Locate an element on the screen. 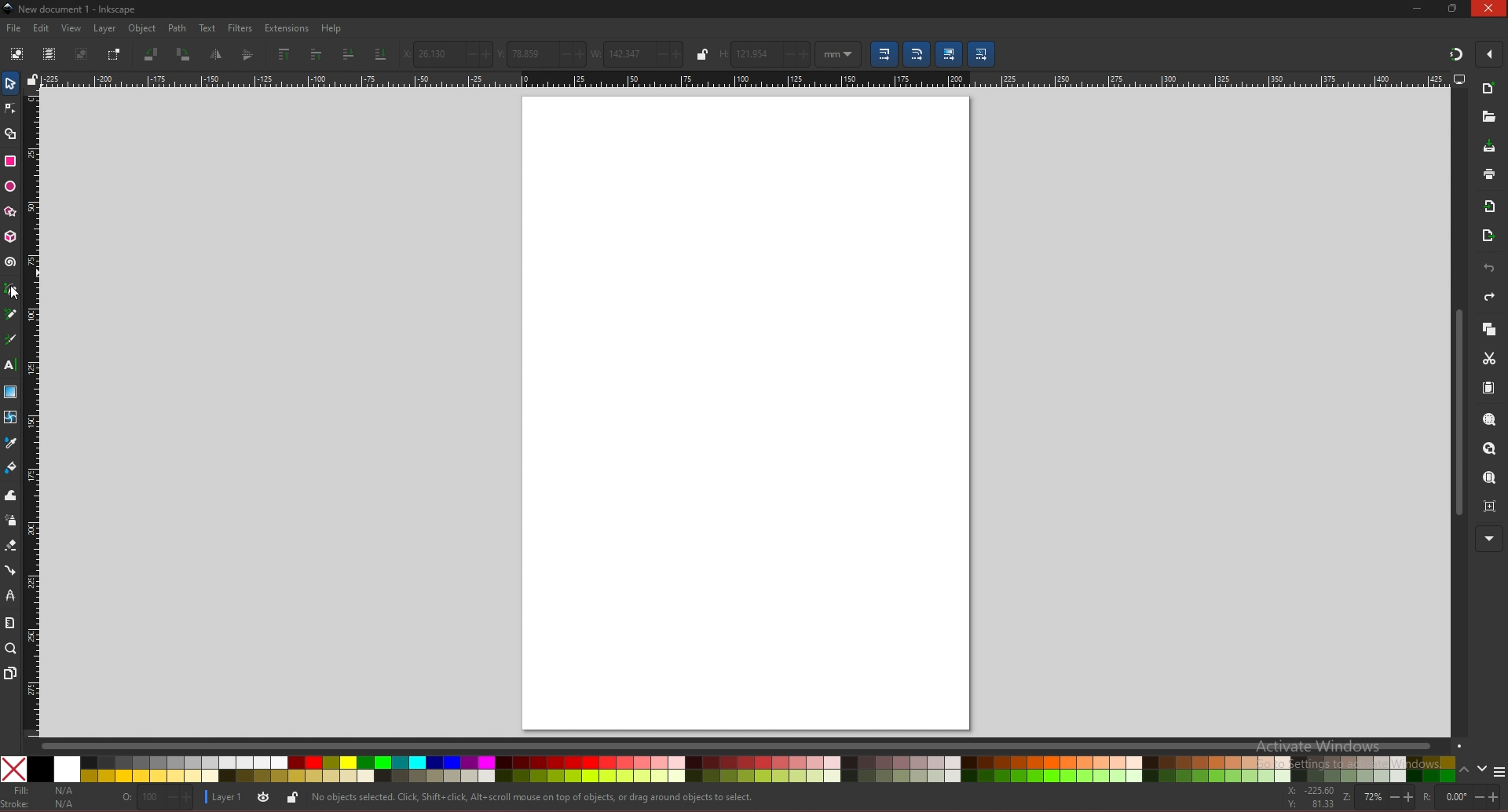 The width and height of the screenshot is (1508, 812). raise selection one step is located at coordinates (317, 53).